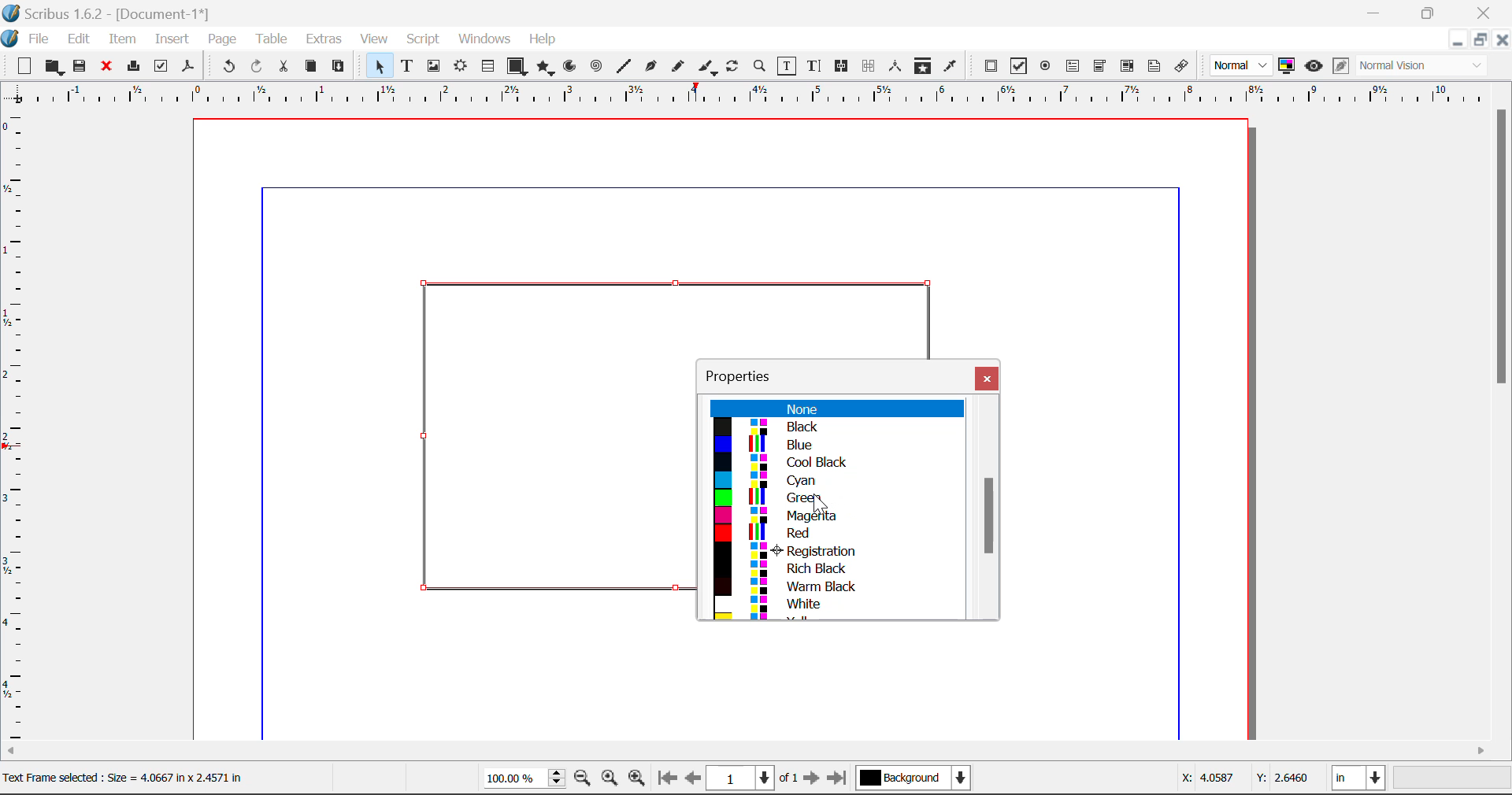 The width and height of the screenshot is (1512, 795). I want to click on Item, so click(120, 37).